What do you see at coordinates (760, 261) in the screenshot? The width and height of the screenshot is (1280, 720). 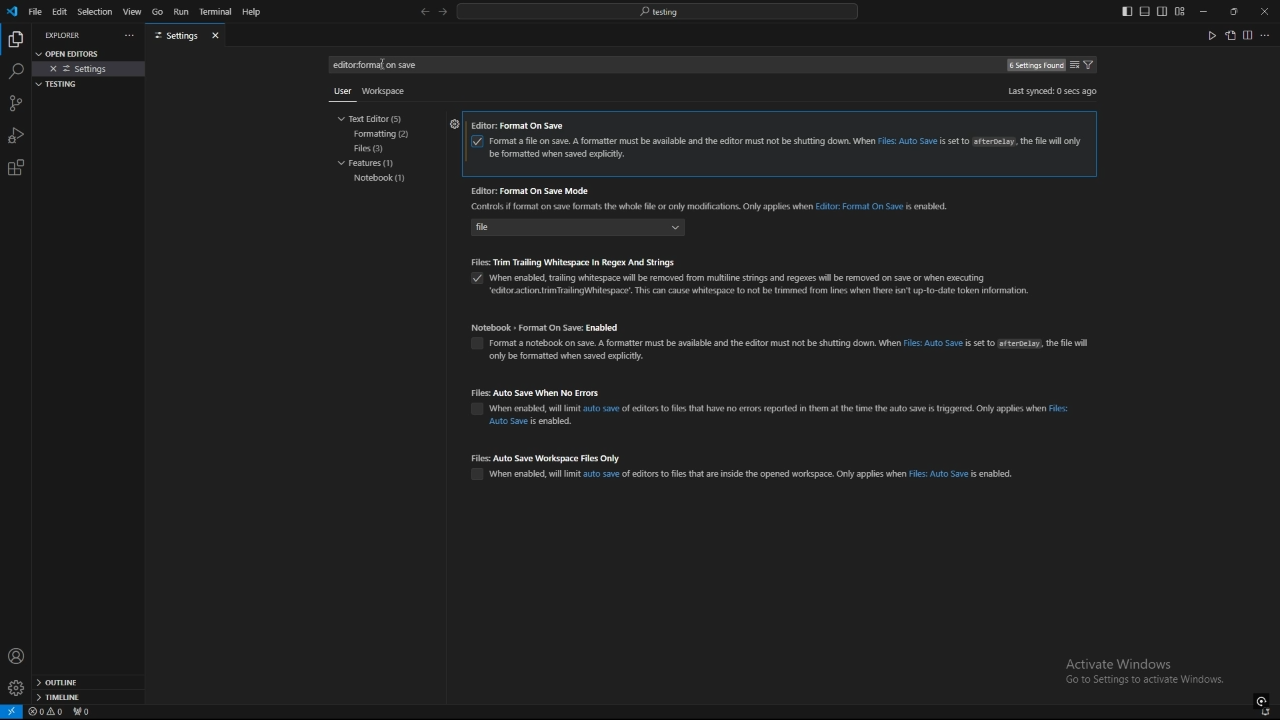 I see `trim trailing whitespace` at bounding box center [760, 261].